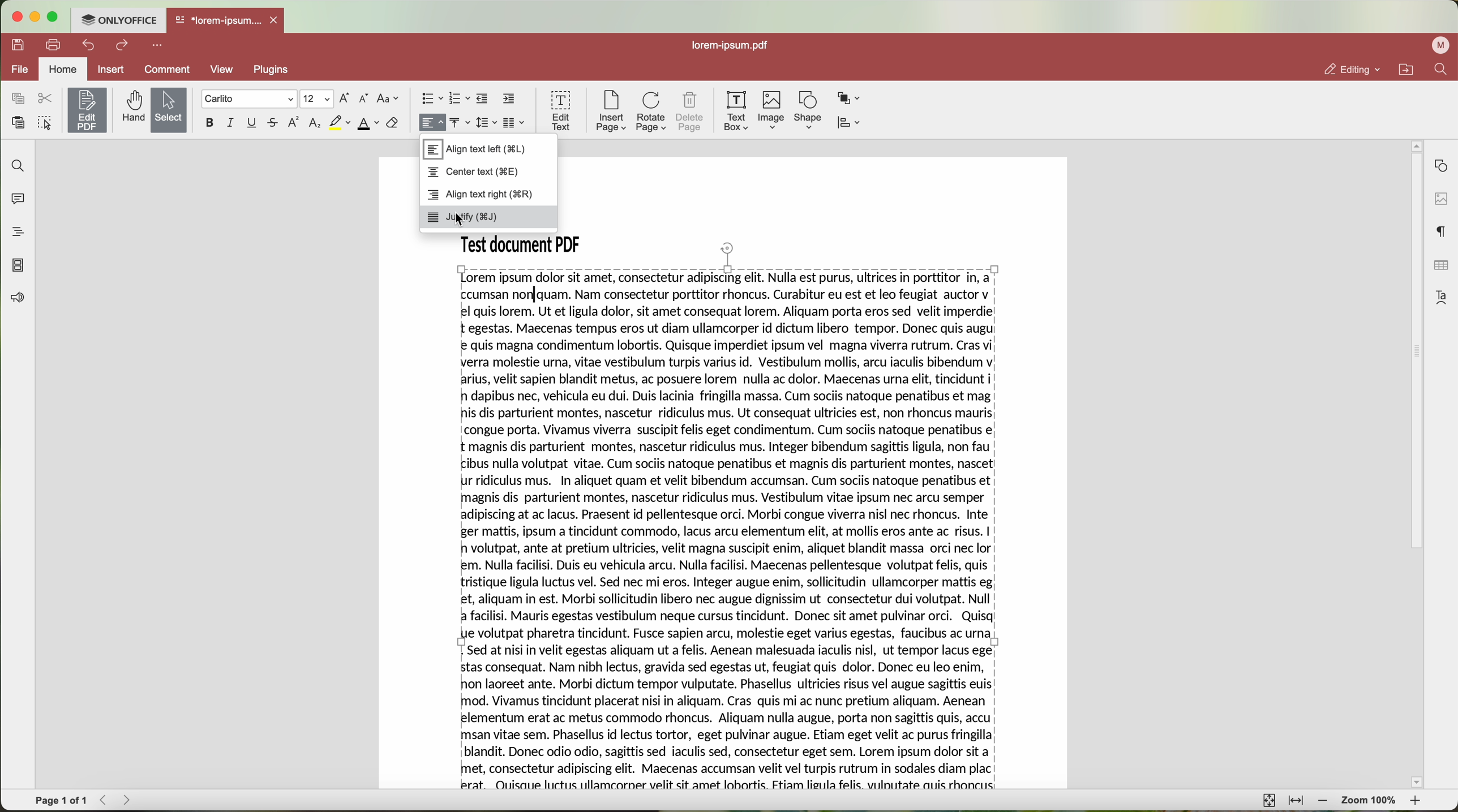  What do you see at coordinates (1418, 802) in the screenshot?
I see `zoom in` at bounding box center [1418, 802].